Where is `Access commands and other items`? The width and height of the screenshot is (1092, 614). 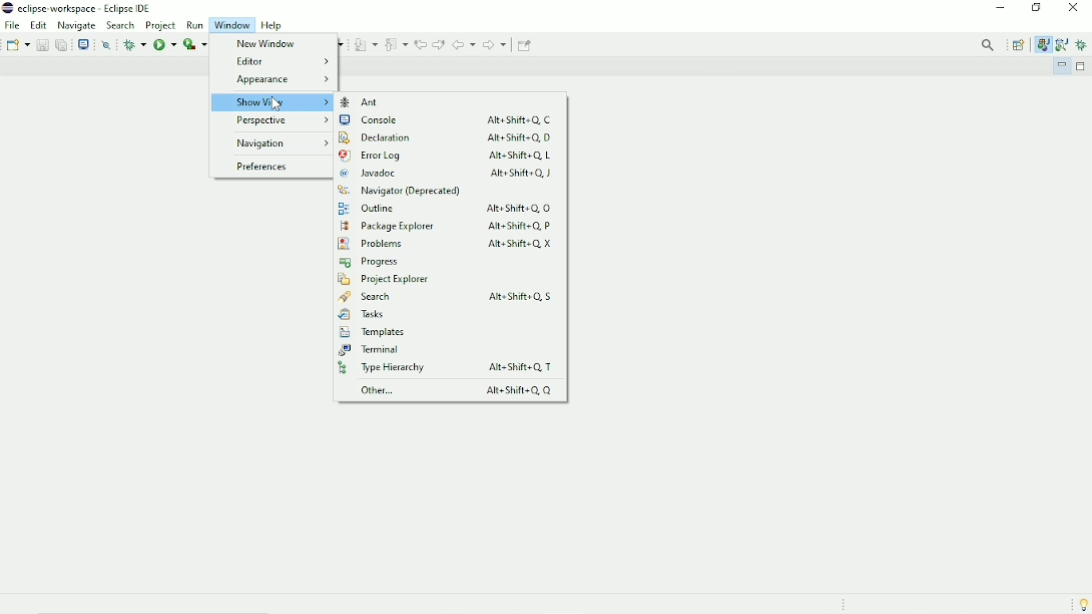
Access commands and other items is located at coordinates (989, 44).